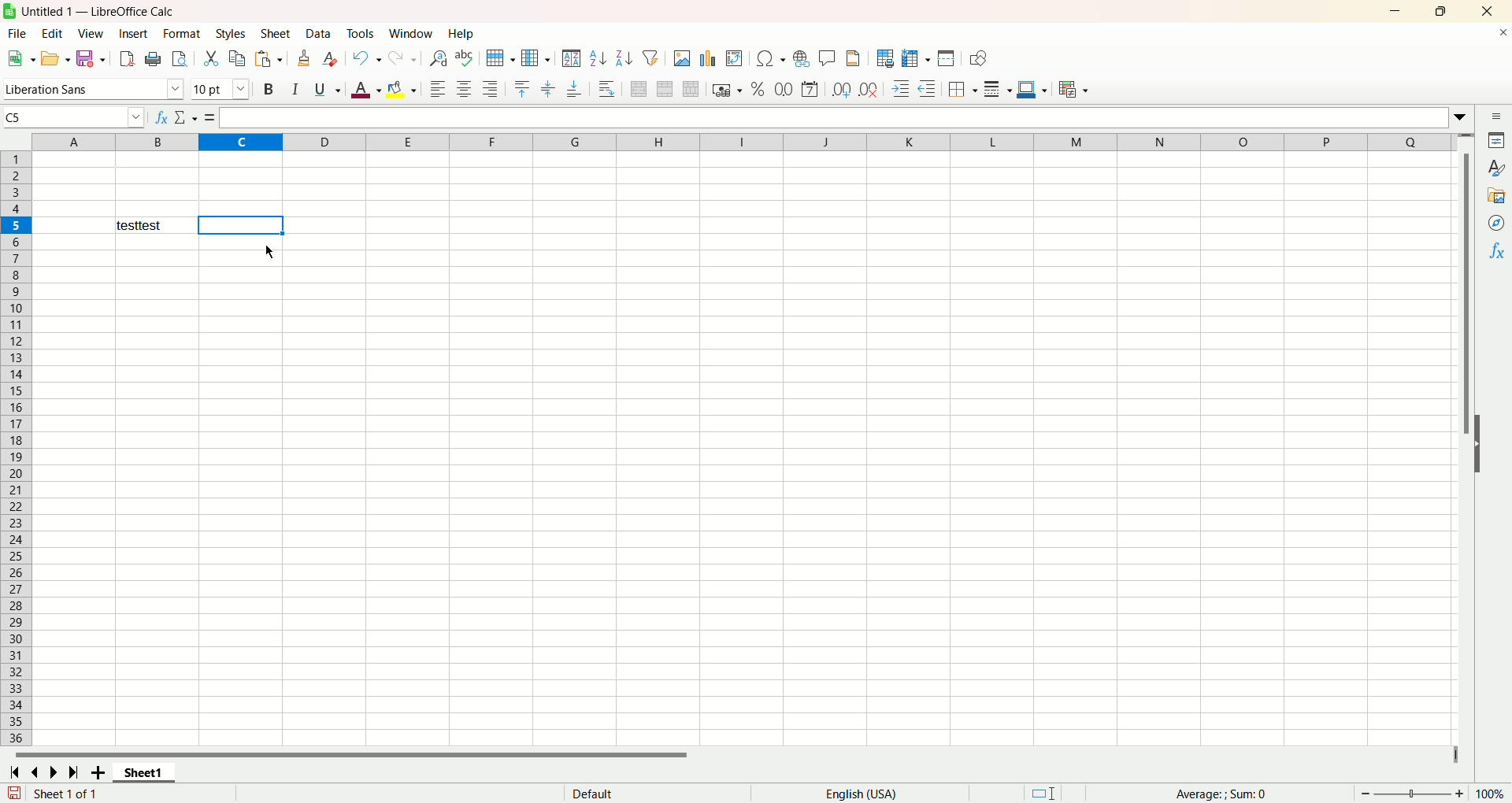  What do you see at coordinates (610, 88) in the screenshot?
I see `wrap text` at bounding box center [610, 88].